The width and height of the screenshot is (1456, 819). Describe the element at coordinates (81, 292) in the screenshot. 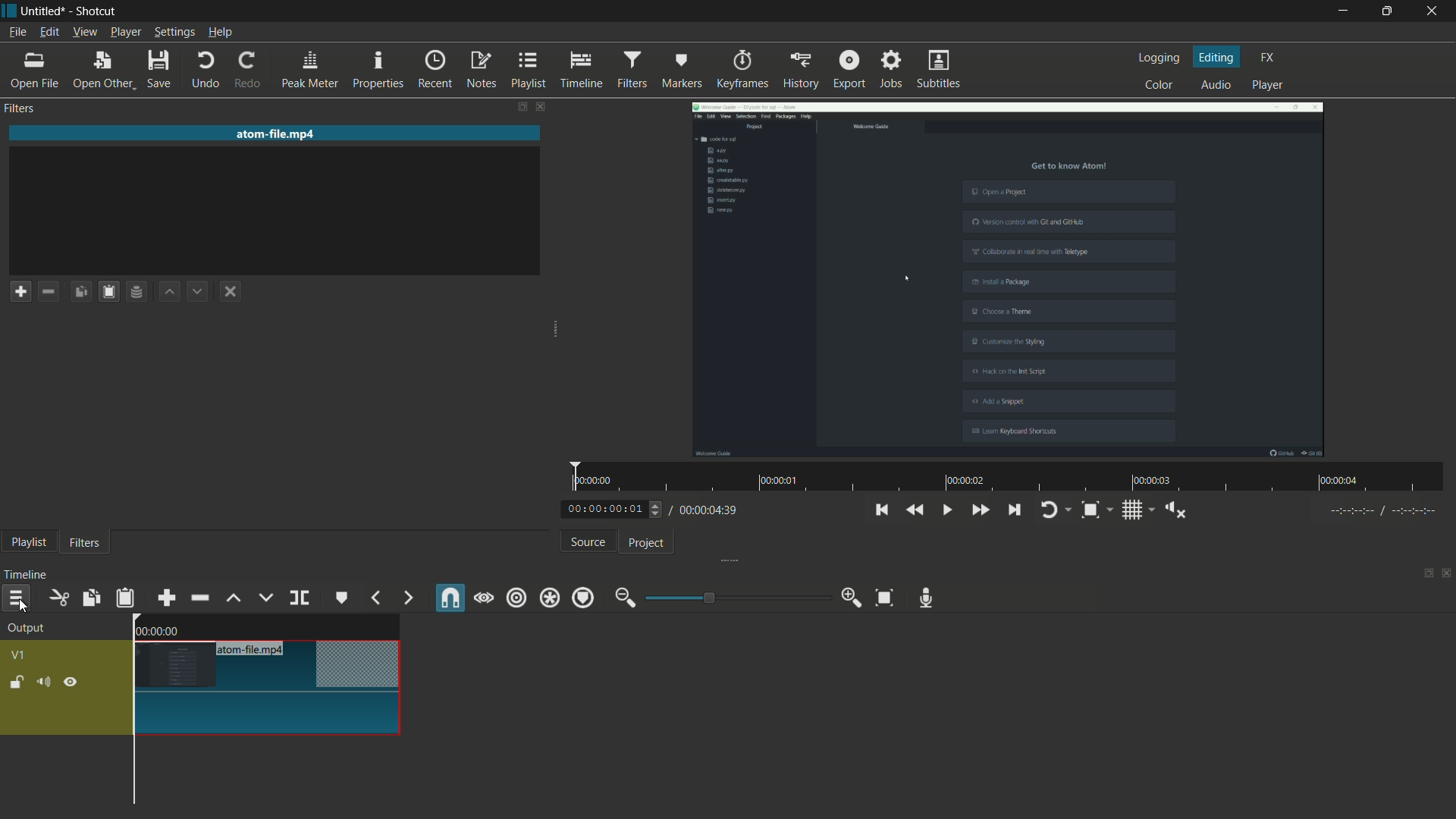

I see `copy checked filters` at that location.